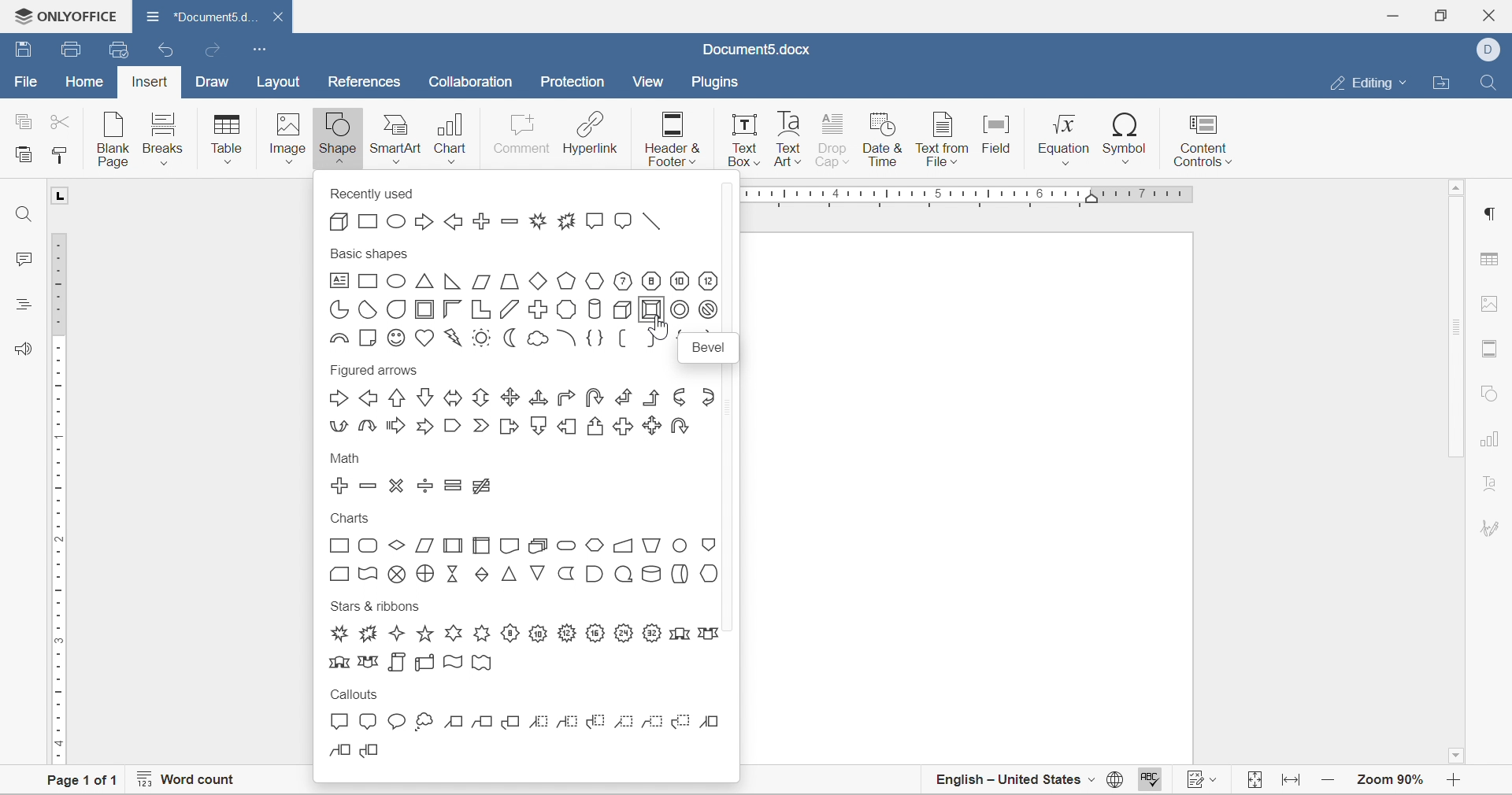 The width and height of the screenshot is (1512, 795). Describe the element at coordinates (1495, 213) in the screenshot. I see `paragraph settings` at that location.